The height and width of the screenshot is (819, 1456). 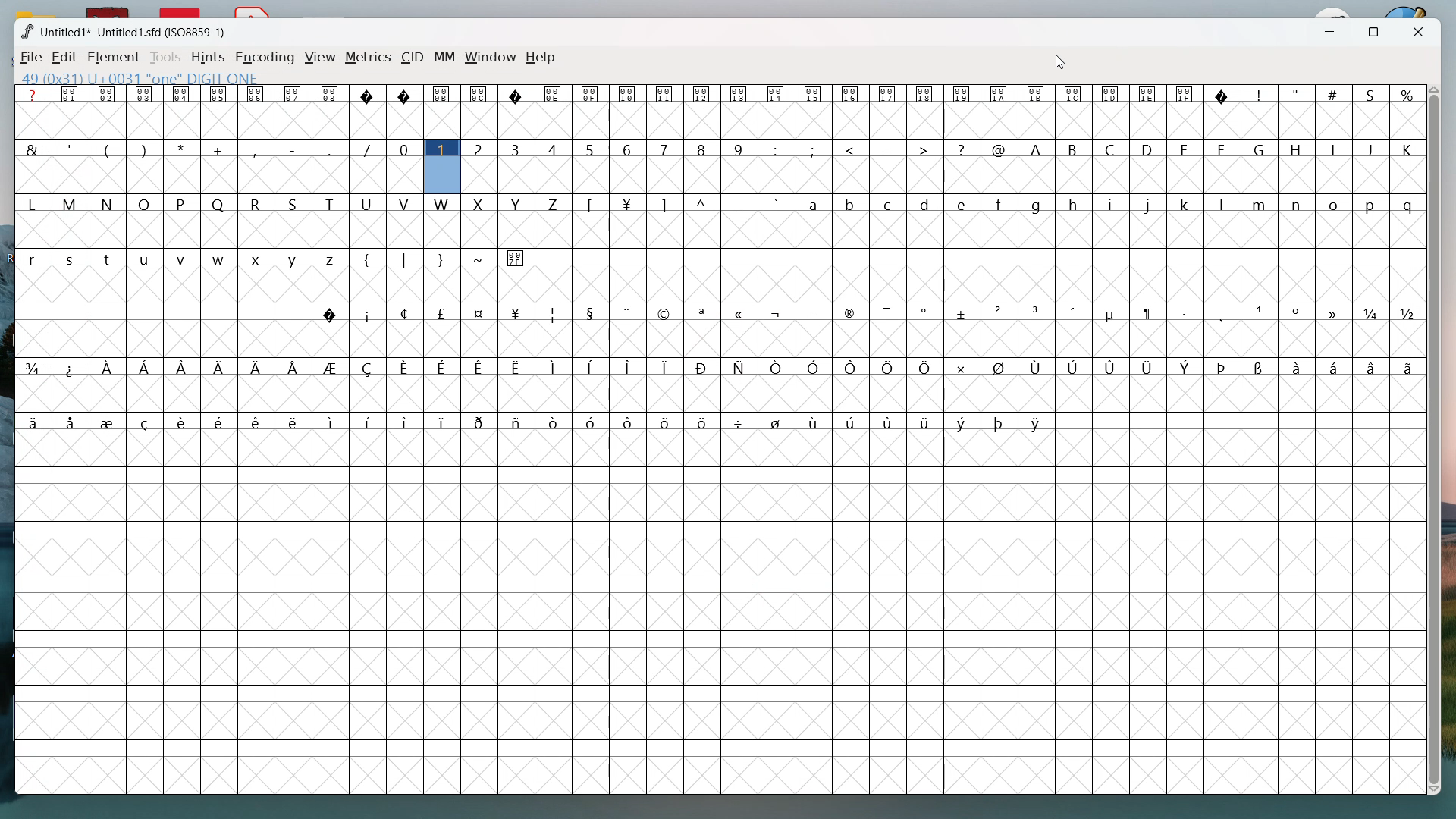 What do you see at coordinates (1438, 439) in the screenshot?
I see `vertical scrollbar` at bounding box center [1438, 439].